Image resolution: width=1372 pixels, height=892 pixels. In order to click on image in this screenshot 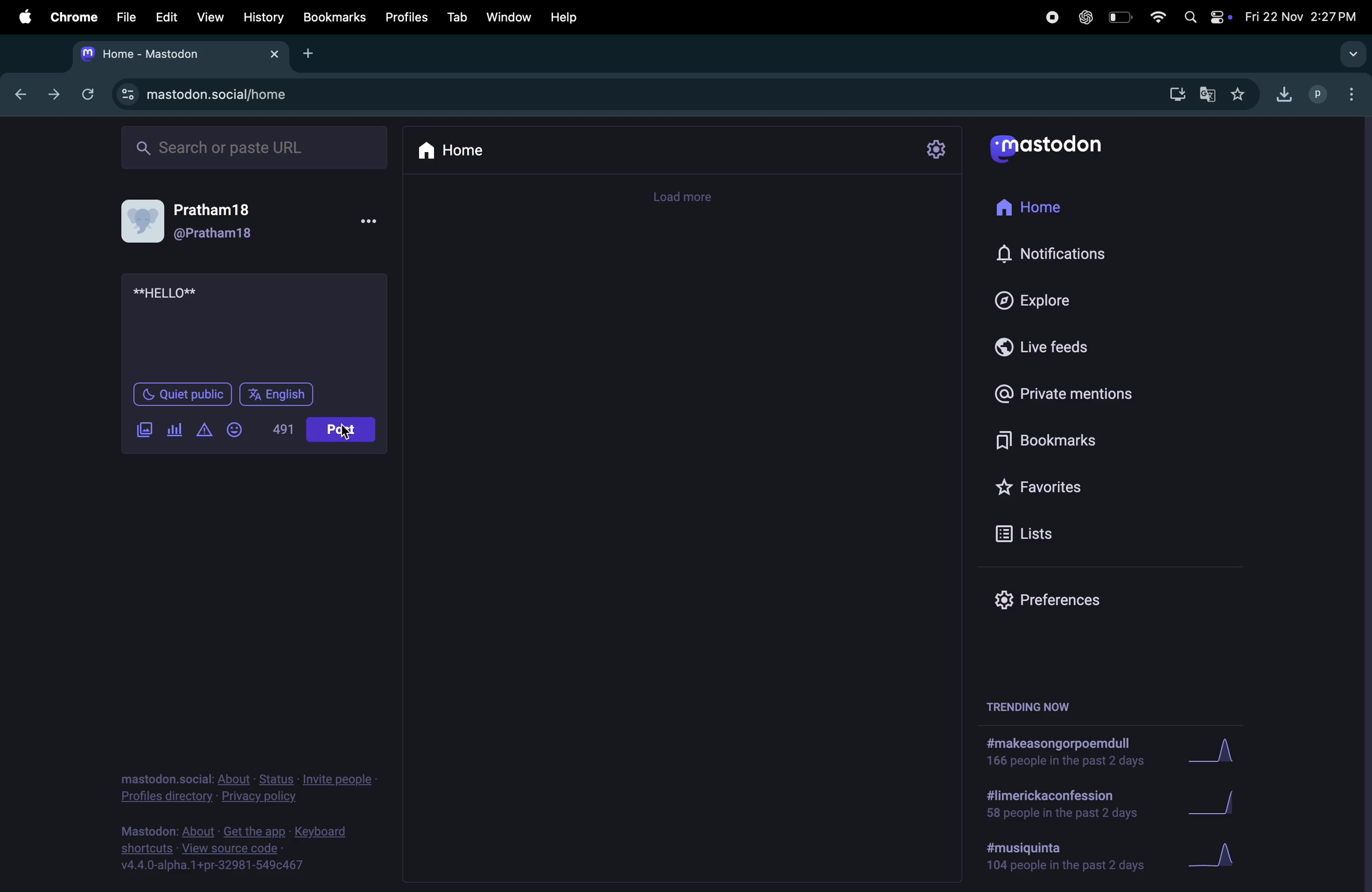, I will do `click(145, 428)`.